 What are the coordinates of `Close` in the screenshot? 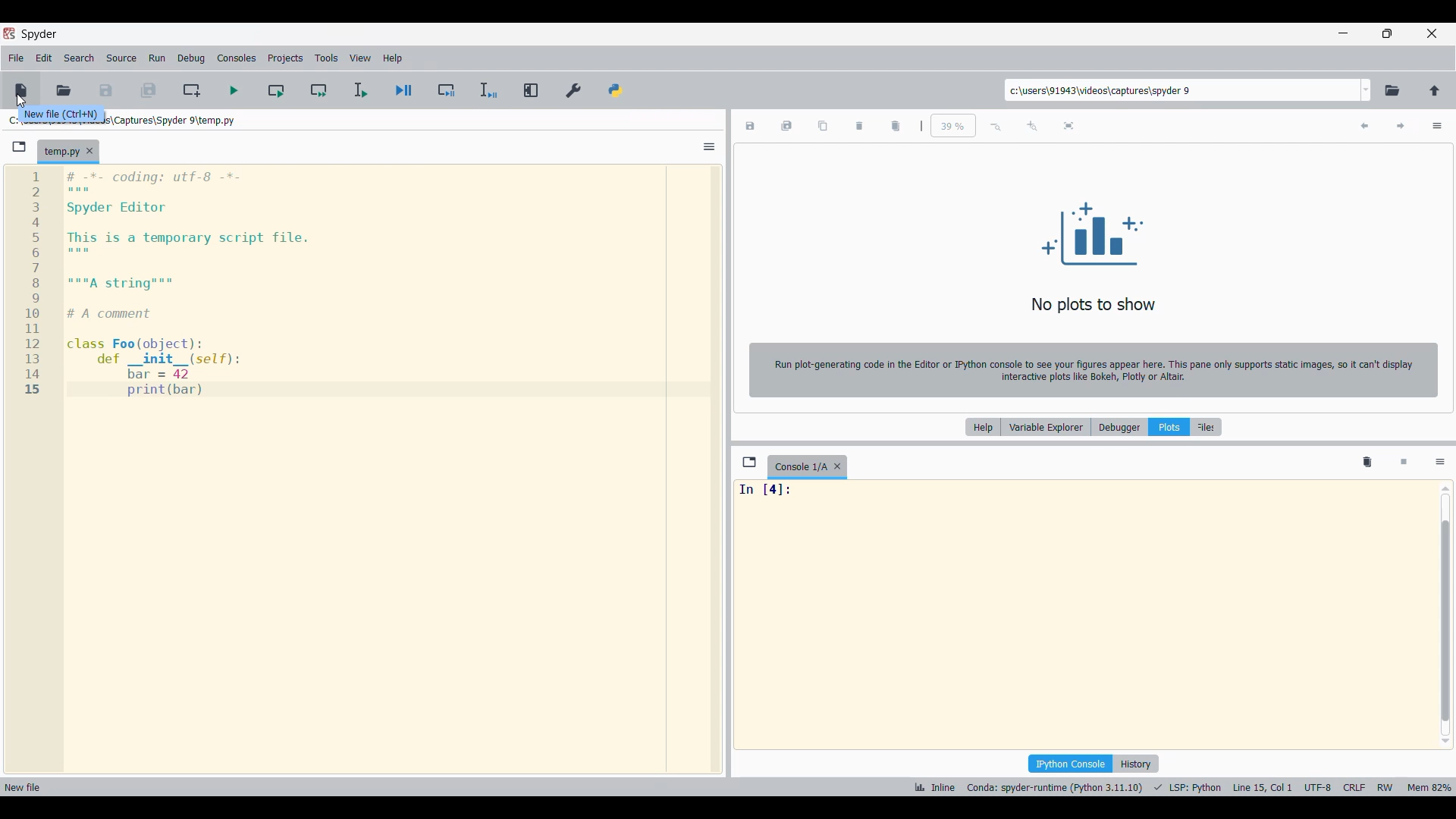 It's located at (838, 466).